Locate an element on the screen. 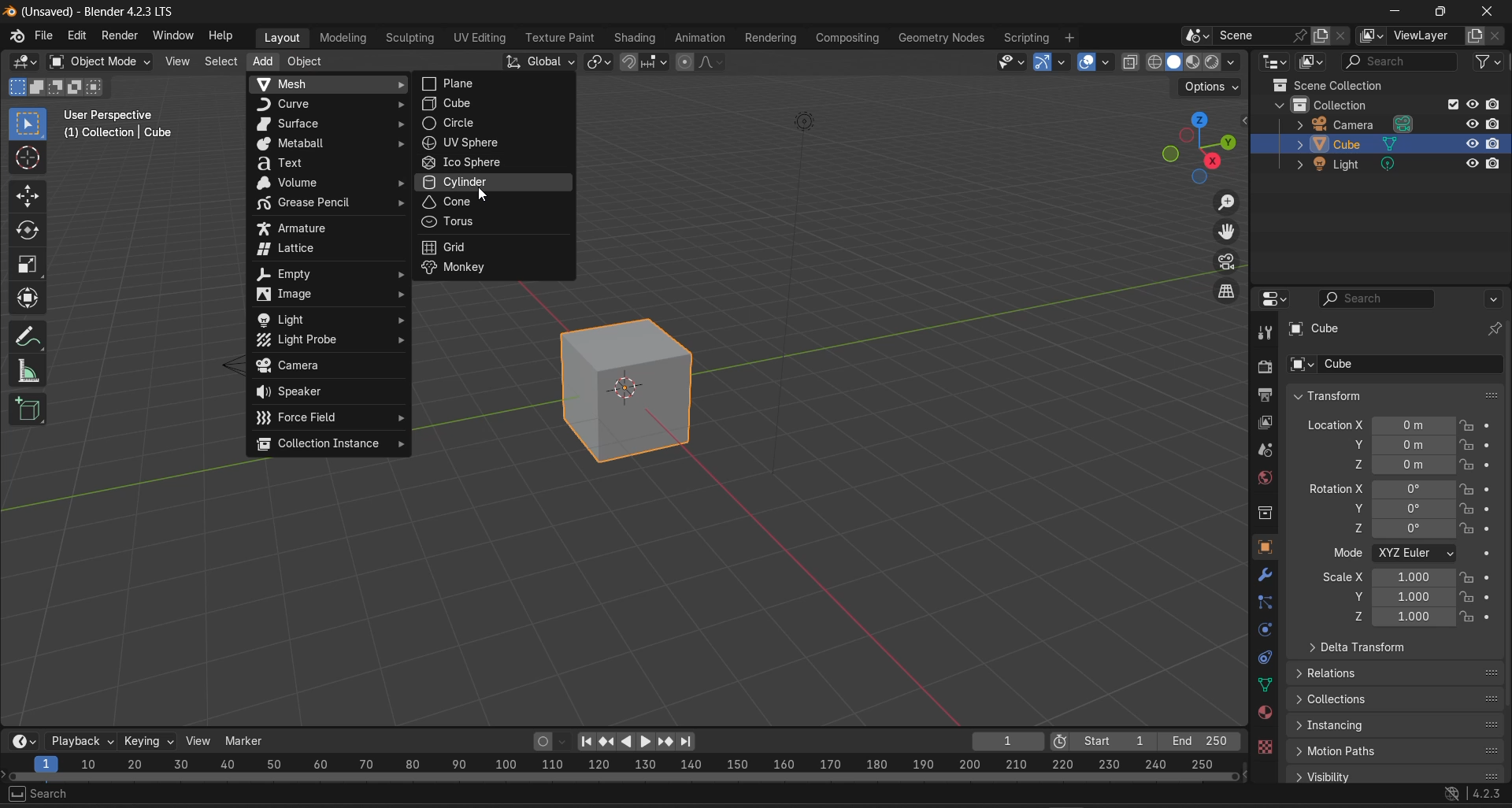  new scene is located at coordinates (1320, 35).